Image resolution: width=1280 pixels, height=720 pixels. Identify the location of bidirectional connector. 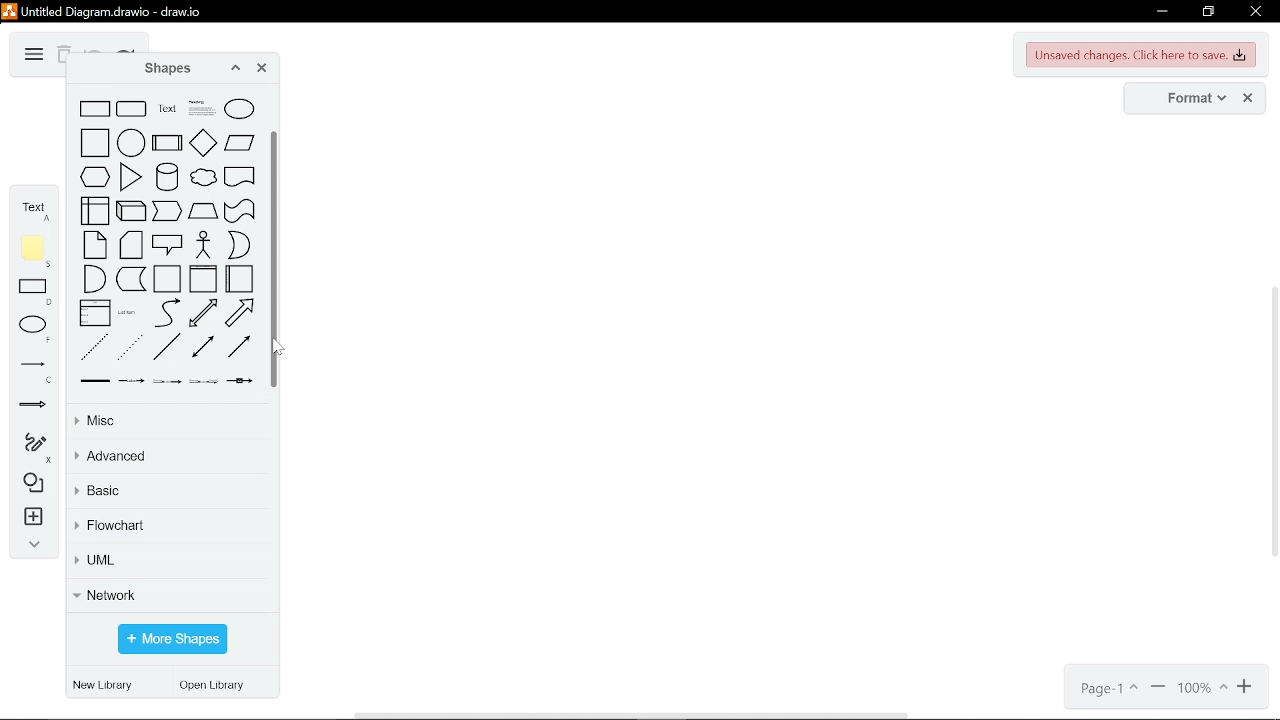
(203, 346).